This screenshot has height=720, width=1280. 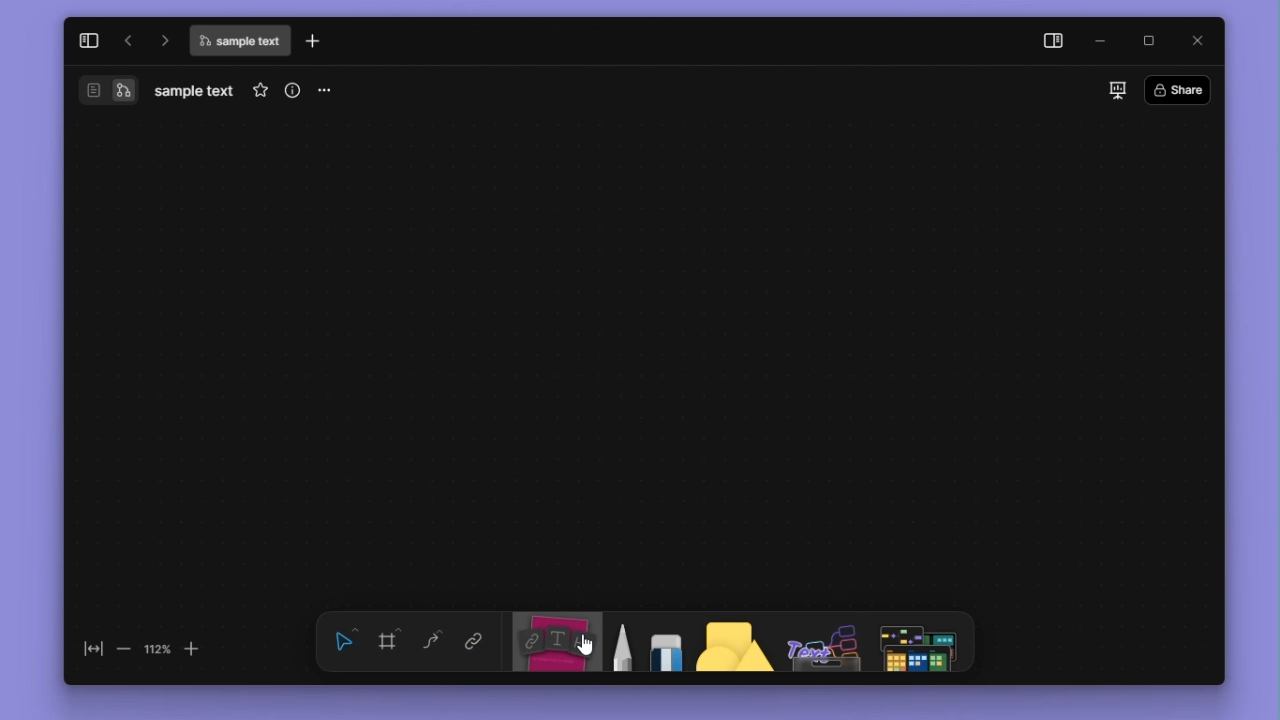 I want to click on minimize, so click(x=1102, y=42).